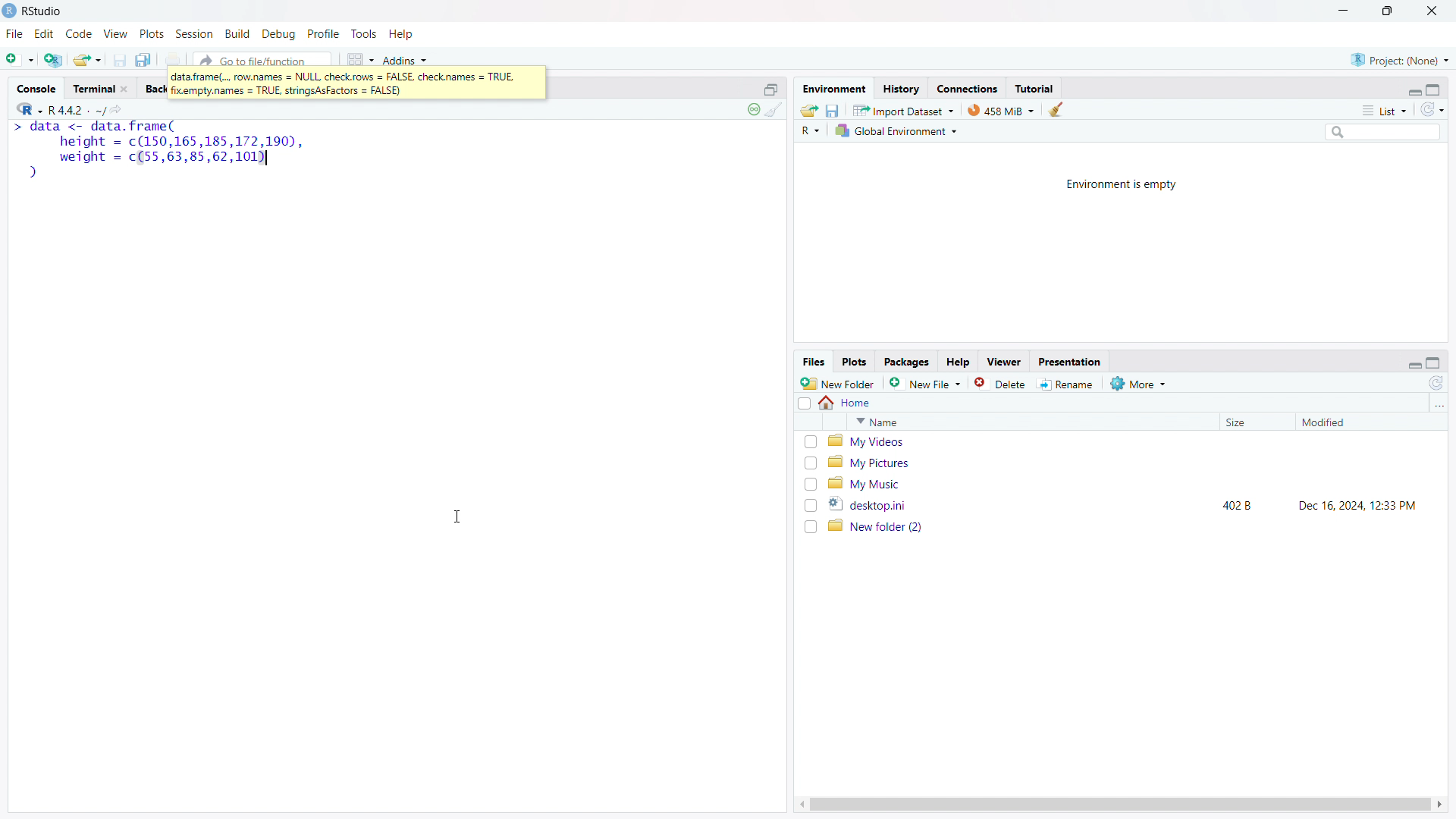 The height and width of the screenshot is (819, 1456). I want to click on environemnet, so click(833, 86).